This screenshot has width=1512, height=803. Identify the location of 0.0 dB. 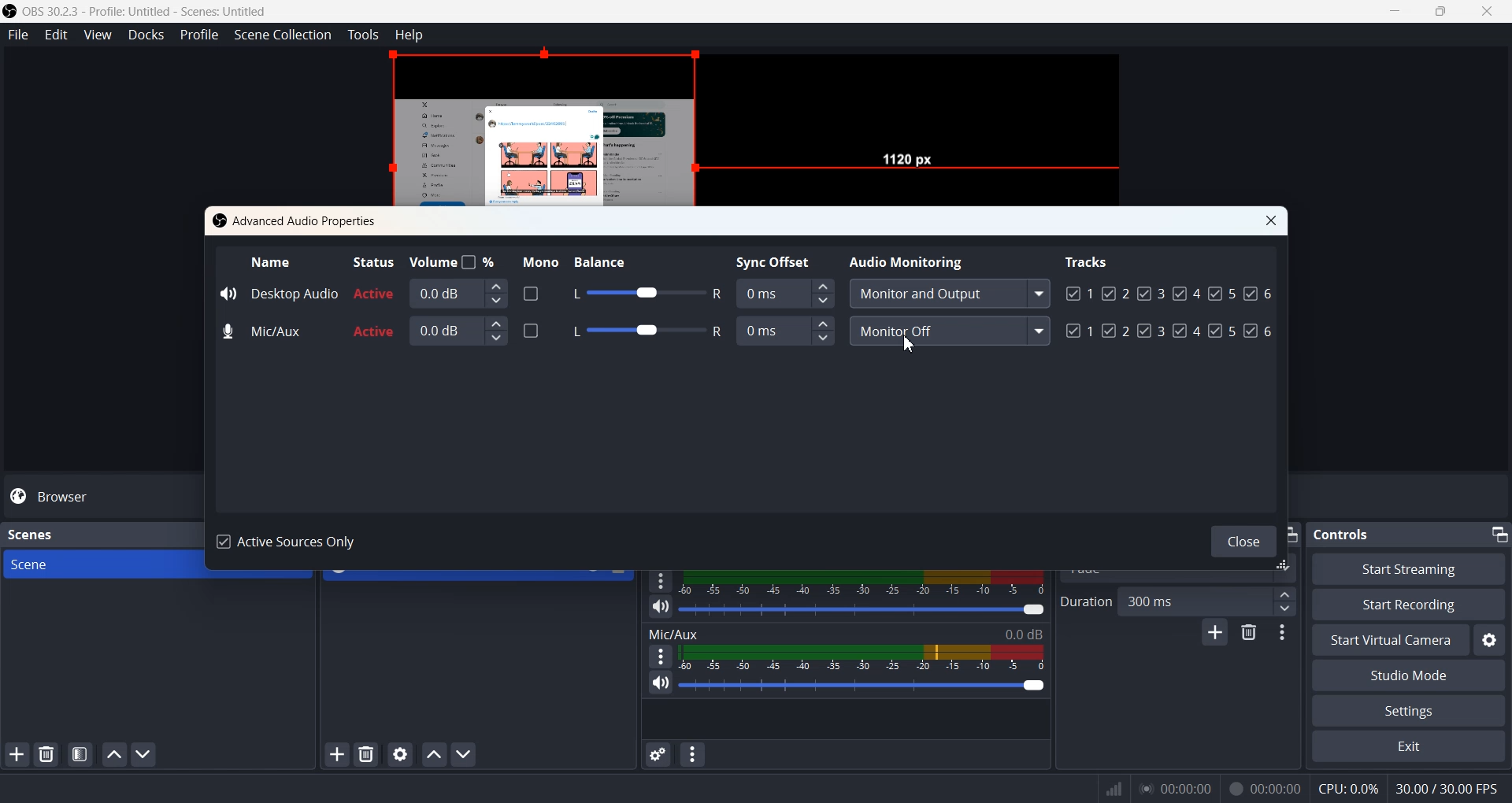
(458, 293).